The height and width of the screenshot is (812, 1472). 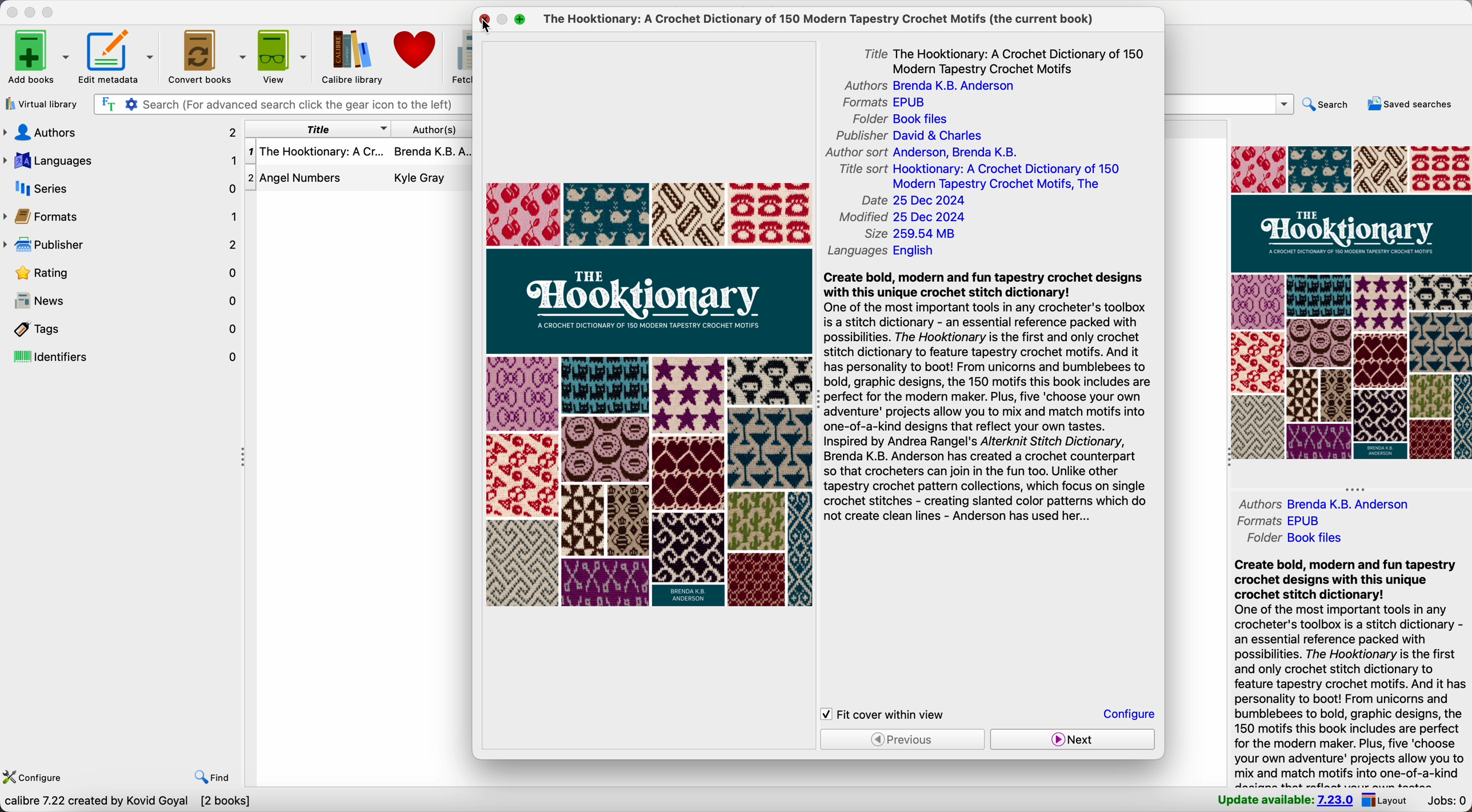 What do you see at coordinates (910, 235) in the screenshot?
I see `size` at bounding box center [910, 235].